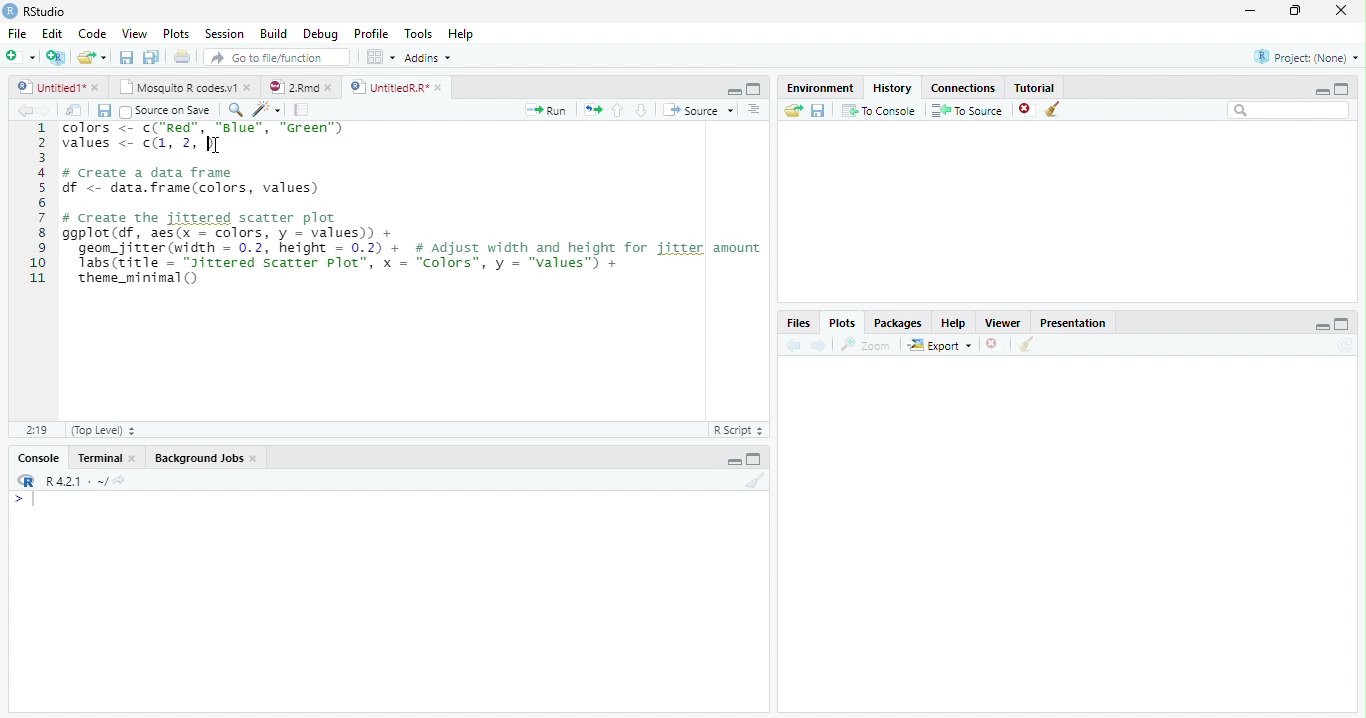 This screenshot has height=718, width=1366. What do you see at coordinates (941, 344) in the screenshot?
I see `Export` at bounding box center [941, 344].